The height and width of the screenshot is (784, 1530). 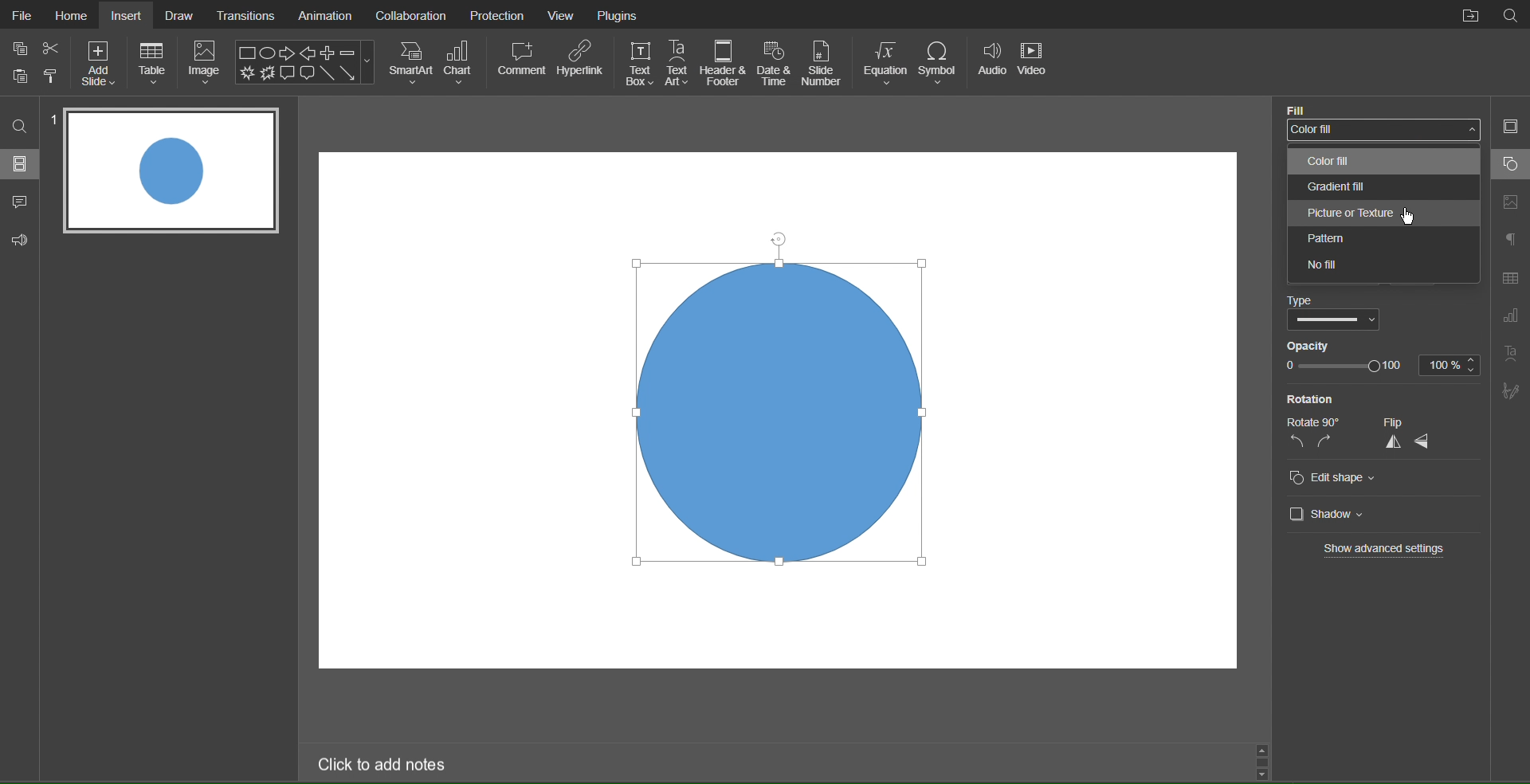 What do you see at coordinates (1509, 241) in the screenshot?
I see `Paragraph Settings` at bounding box center [1509, 241].